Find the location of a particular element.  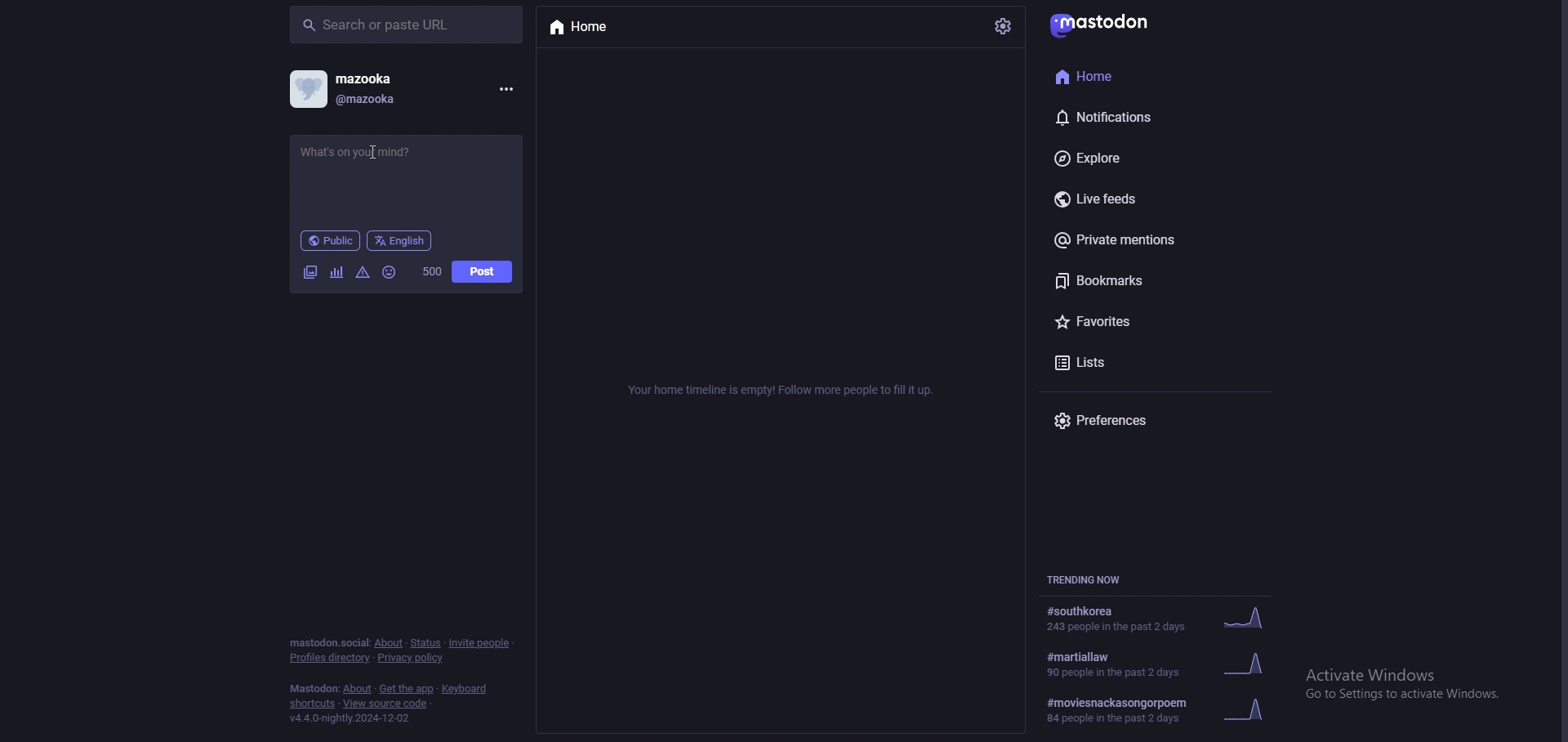

mastodon is located at coordinates (1110, 23).